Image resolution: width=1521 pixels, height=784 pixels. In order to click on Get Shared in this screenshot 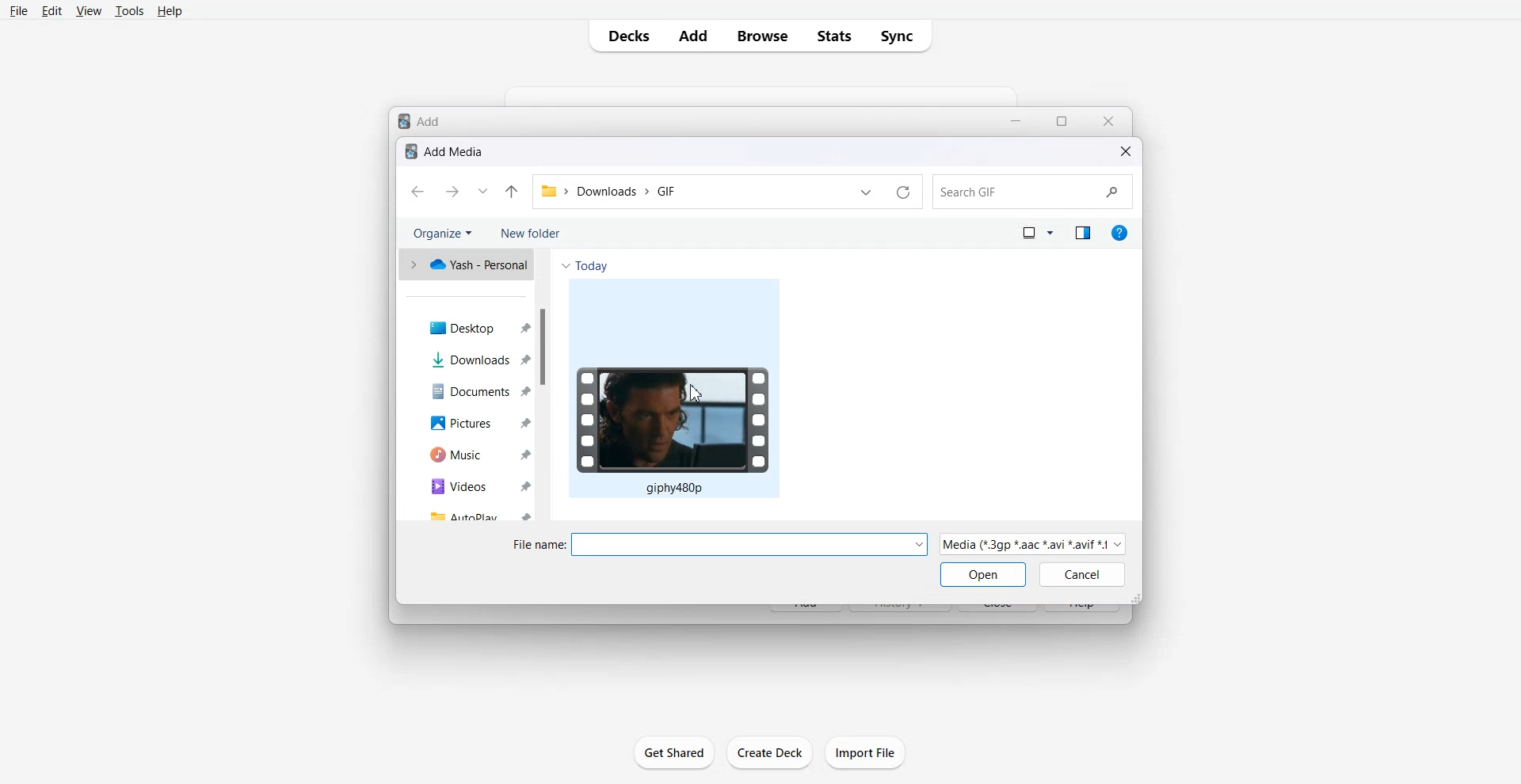, I will do `click(674, 751)`.